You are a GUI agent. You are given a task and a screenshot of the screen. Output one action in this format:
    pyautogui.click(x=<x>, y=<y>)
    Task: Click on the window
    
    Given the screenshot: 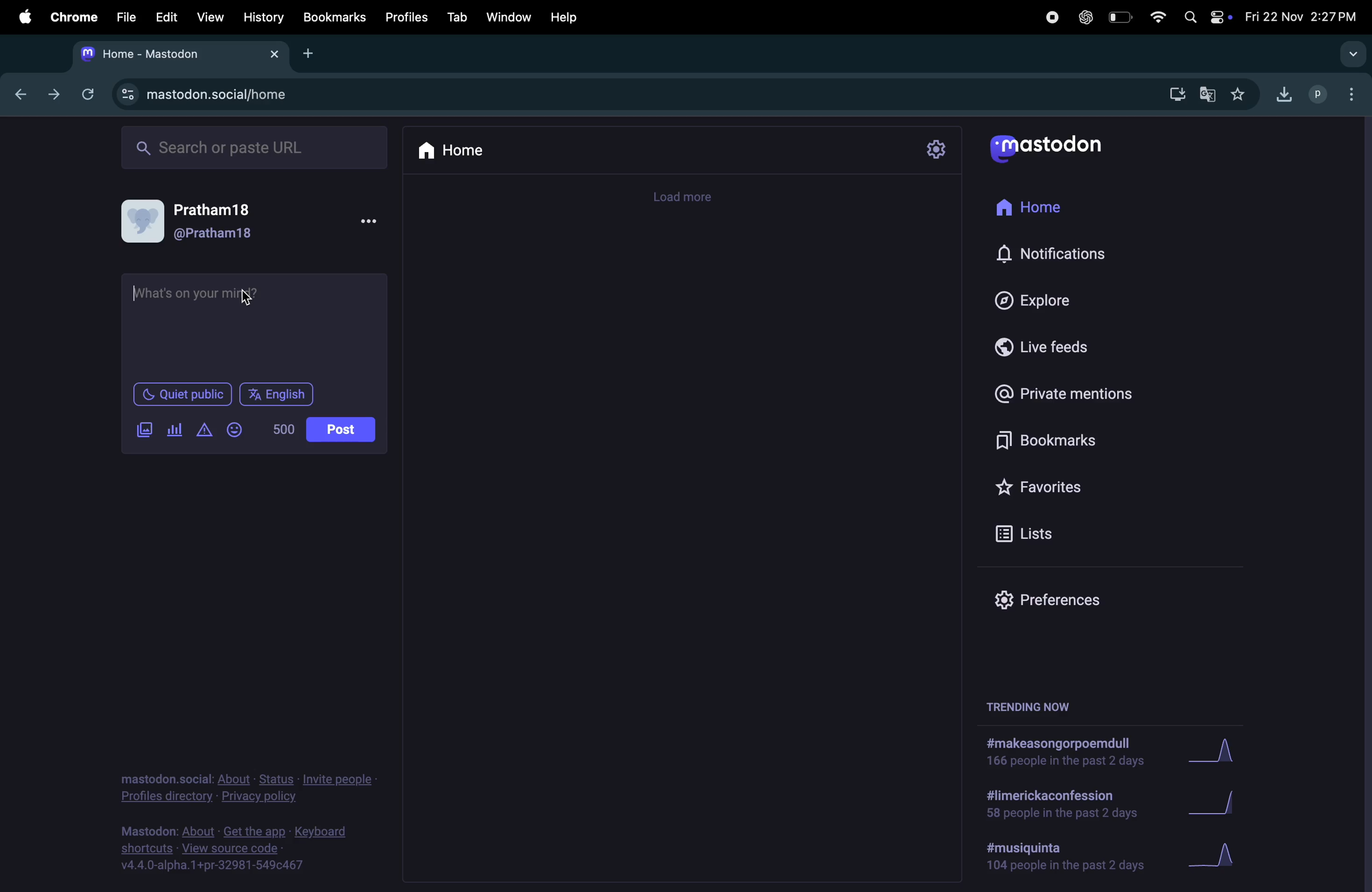 What is the action you would take?
    pyautogui.click(x=510, y=14)
    